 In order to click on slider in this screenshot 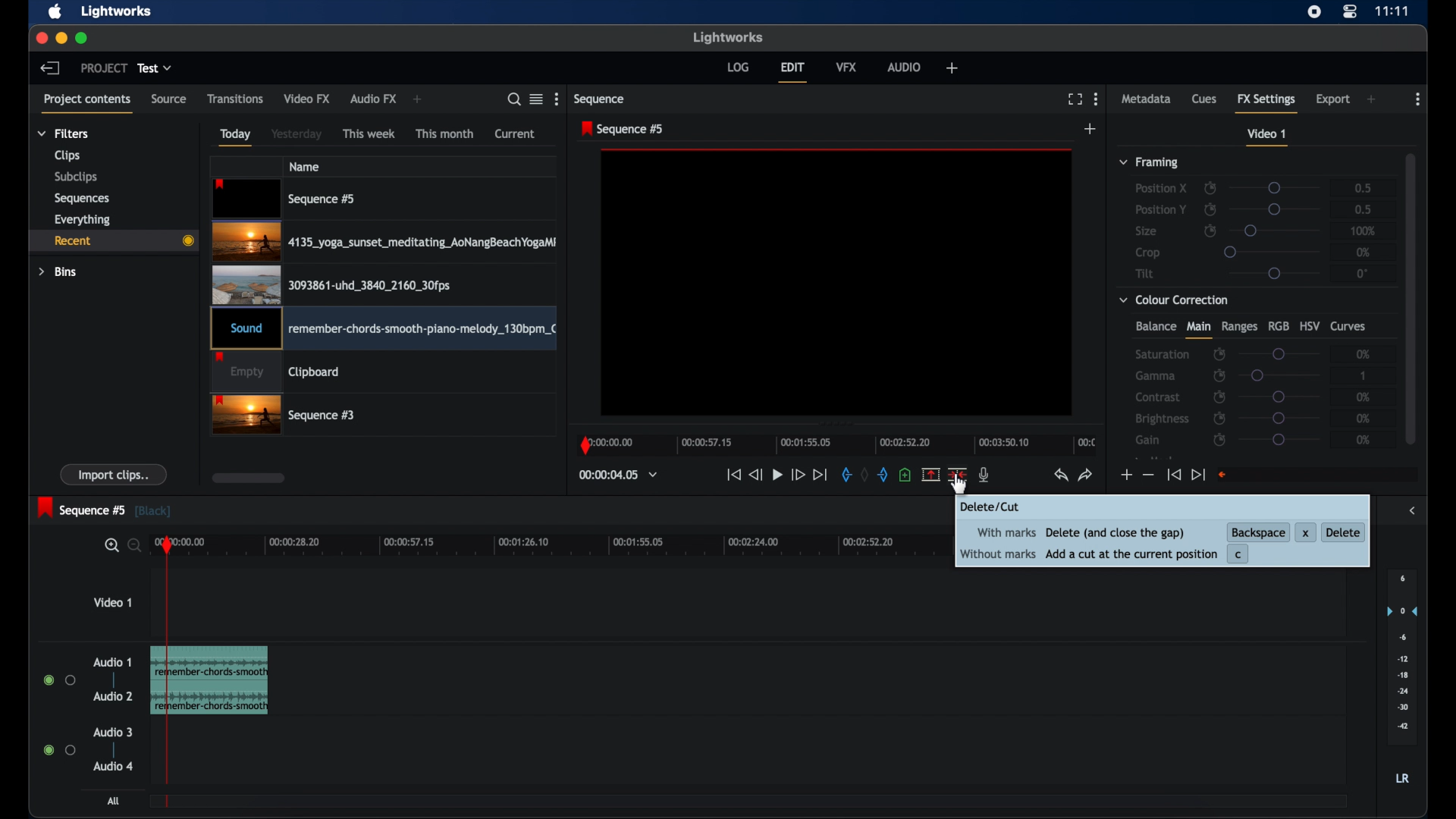, I will do `click(1280, 375)`.